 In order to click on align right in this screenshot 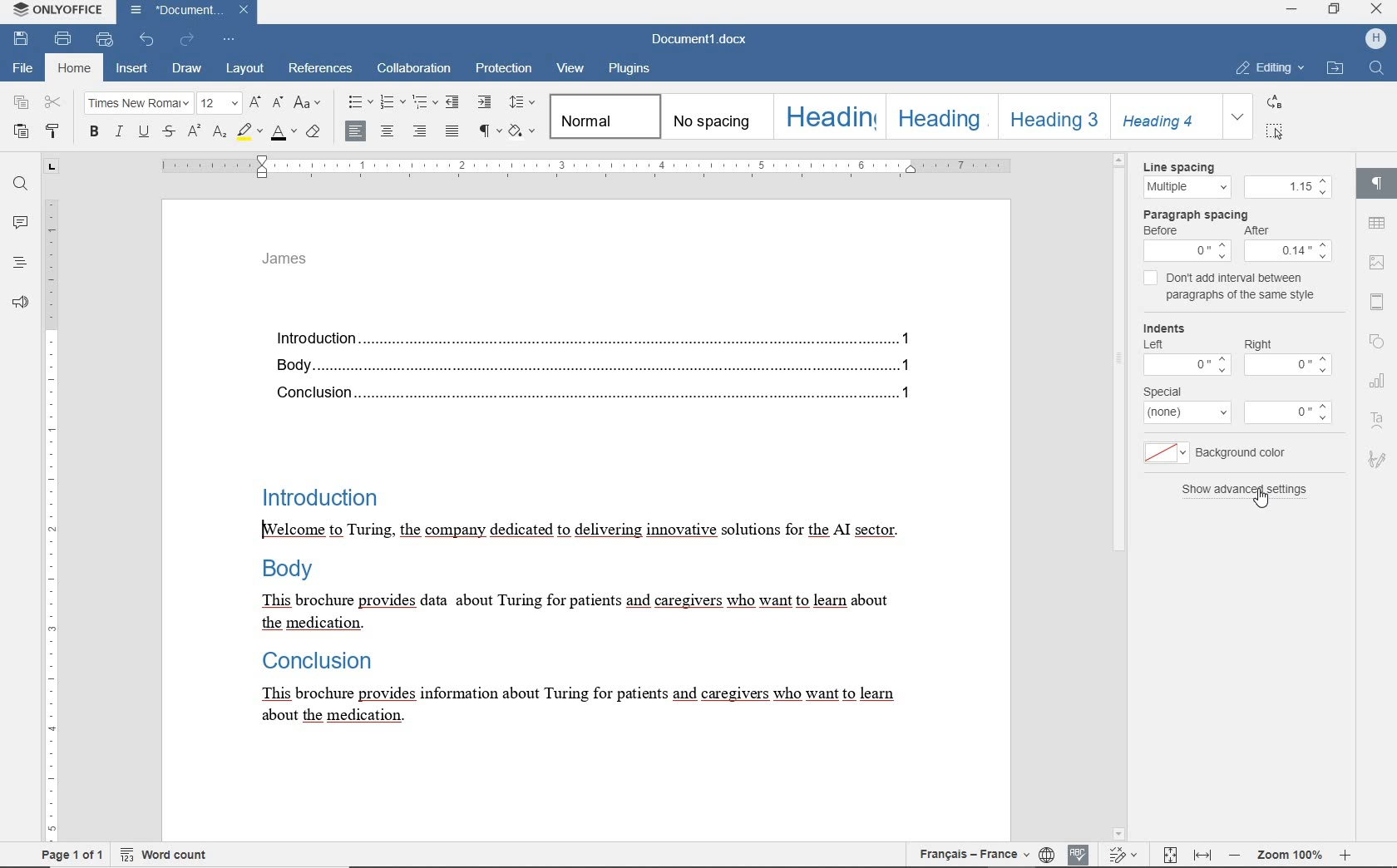, I will do `click(421, 133)`.